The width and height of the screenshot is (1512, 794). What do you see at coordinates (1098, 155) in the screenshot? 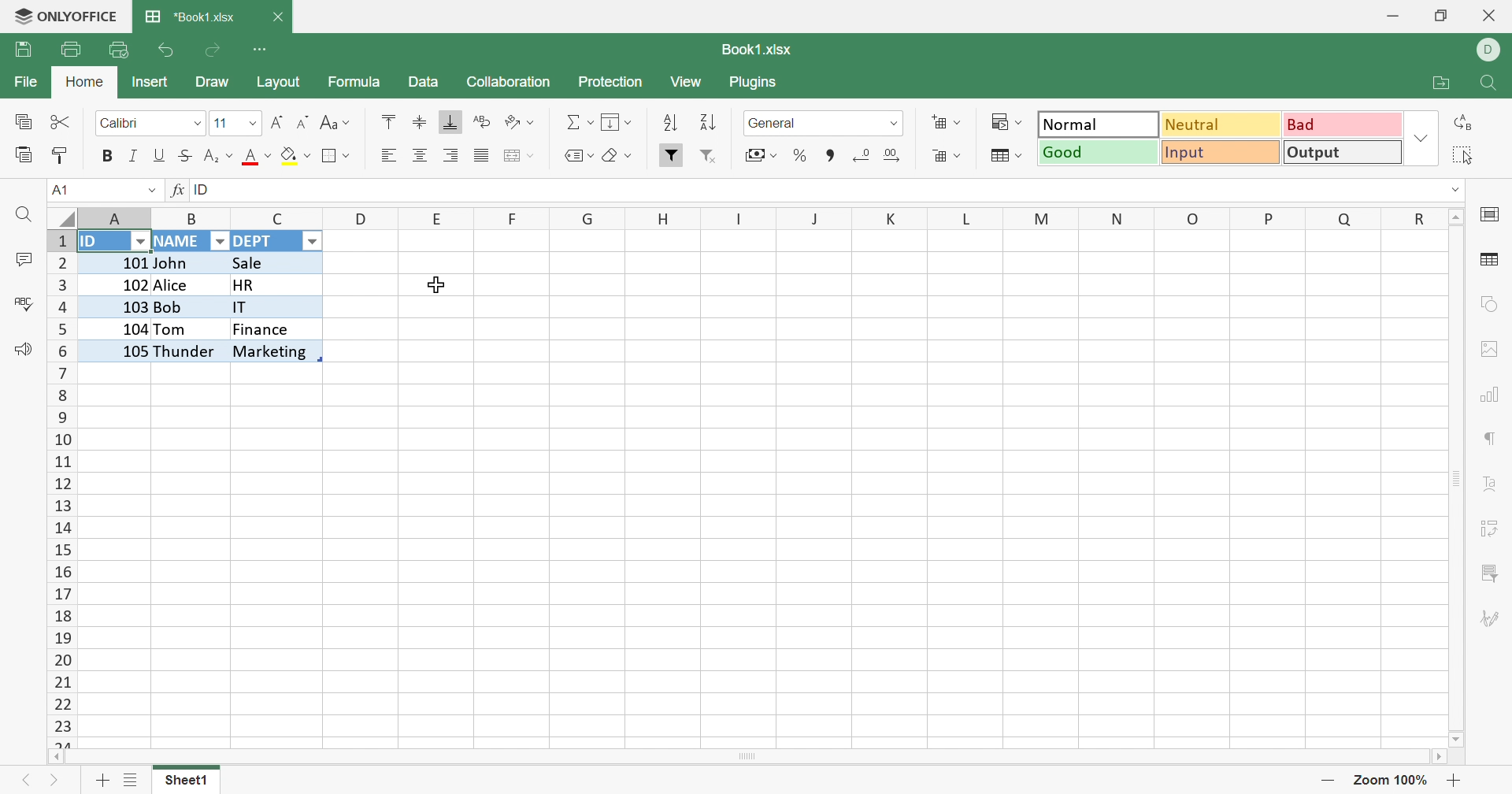
I see `Good` at bounding box center [1098, 155].